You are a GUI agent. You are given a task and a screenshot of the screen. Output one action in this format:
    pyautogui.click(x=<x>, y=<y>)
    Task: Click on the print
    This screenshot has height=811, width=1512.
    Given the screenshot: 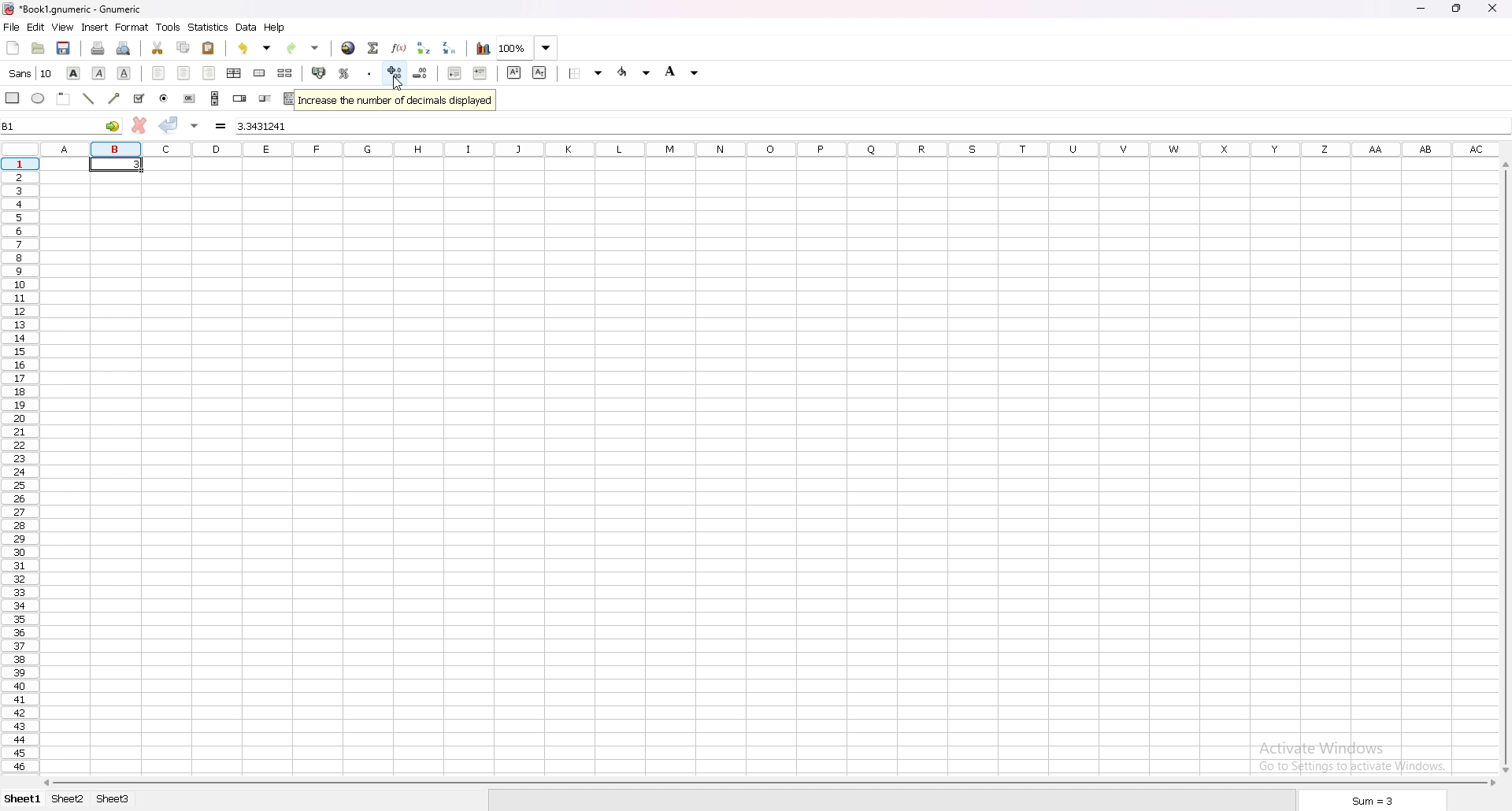 What is the action you would take?
    pyautogui.click(x=98, y=48)
    